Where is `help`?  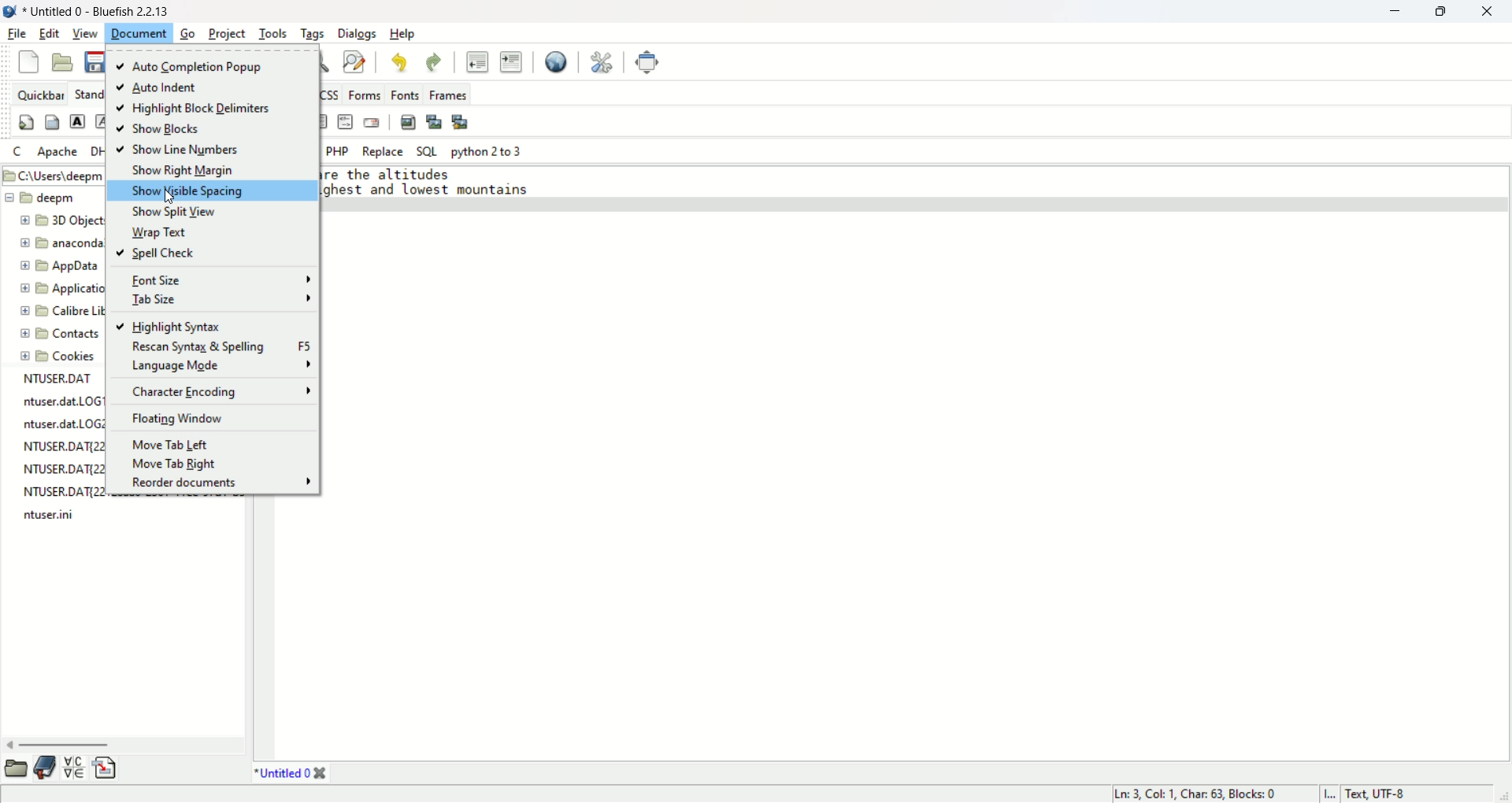 help is located at coordinates (402, 35).